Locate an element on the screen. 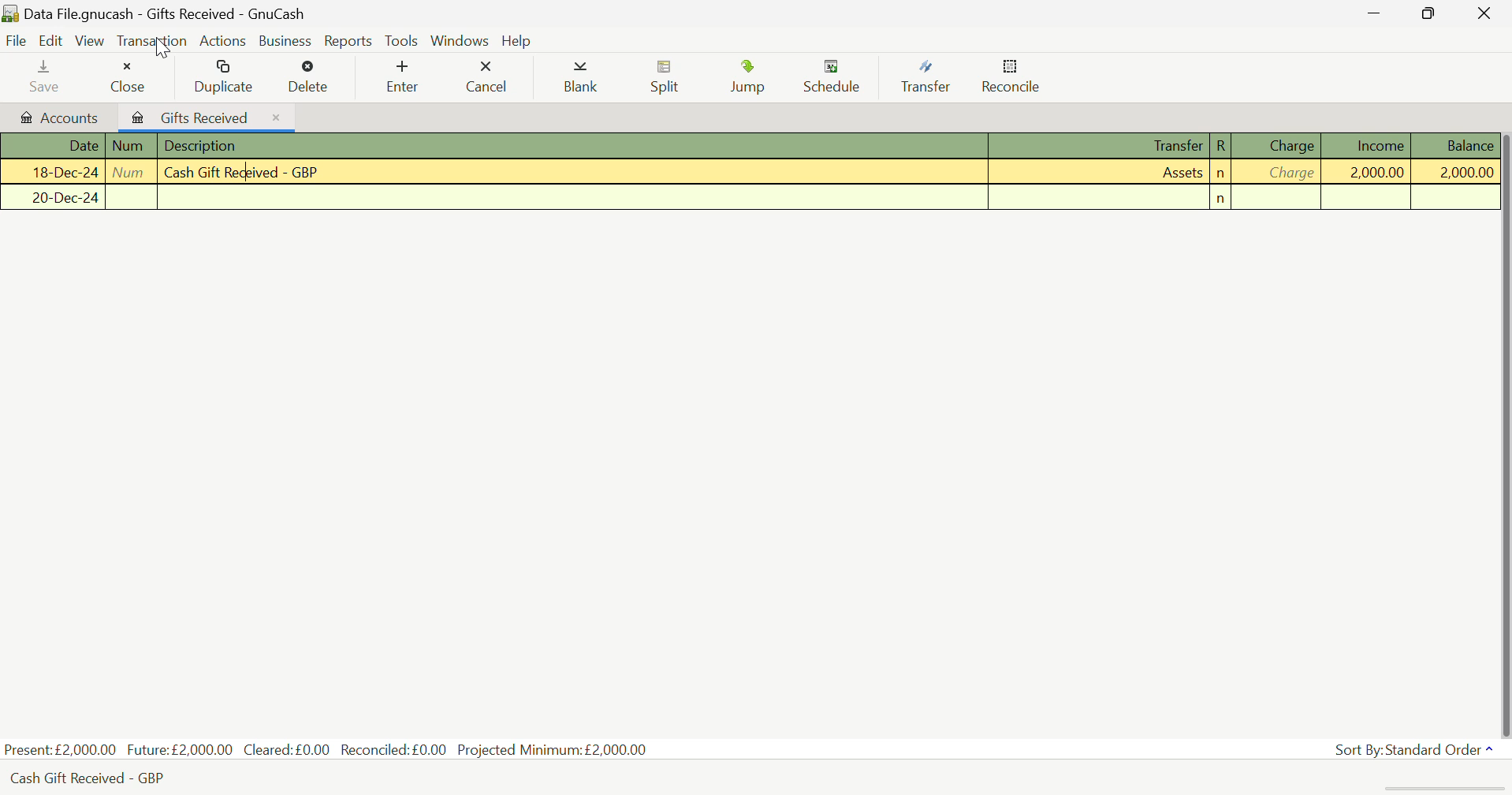 Image resolution: width=1512 pixels, height=795 pixels. Edit is located at coordinates (54, 41).